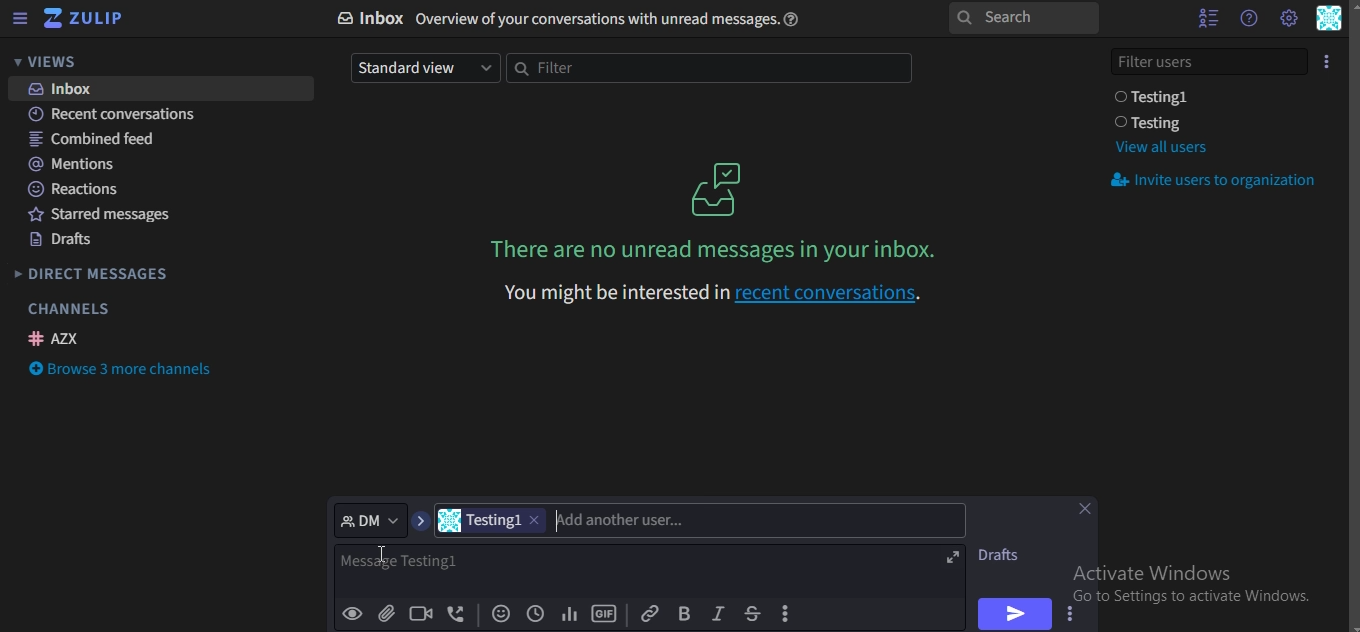 This screenshot has width=1360, height=632. Describe the element at coordinates (1005, 555) in the screenshot. I see `draft` at that location.